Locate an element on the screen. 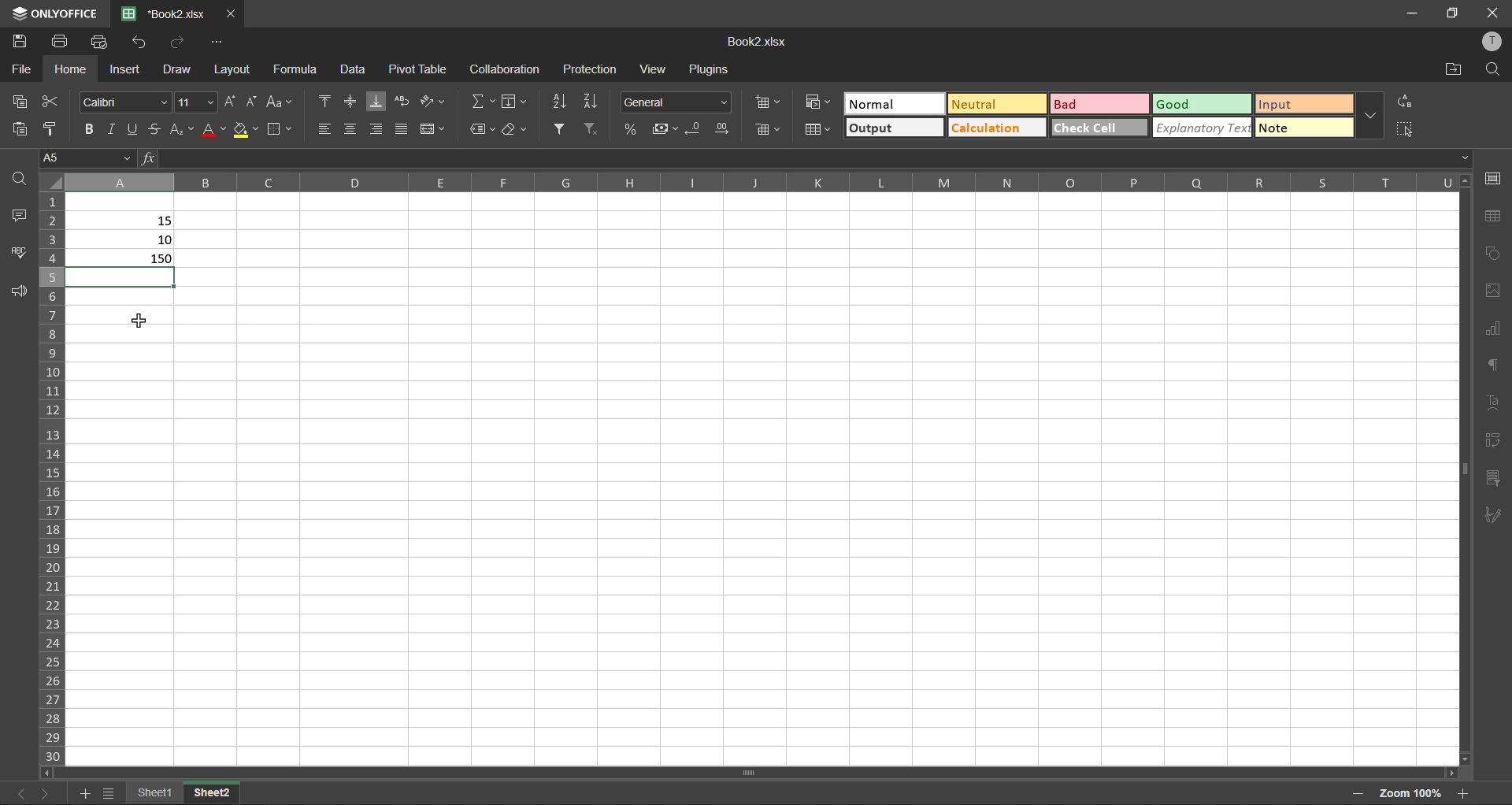  replace is located at coordinates (1405, 101).